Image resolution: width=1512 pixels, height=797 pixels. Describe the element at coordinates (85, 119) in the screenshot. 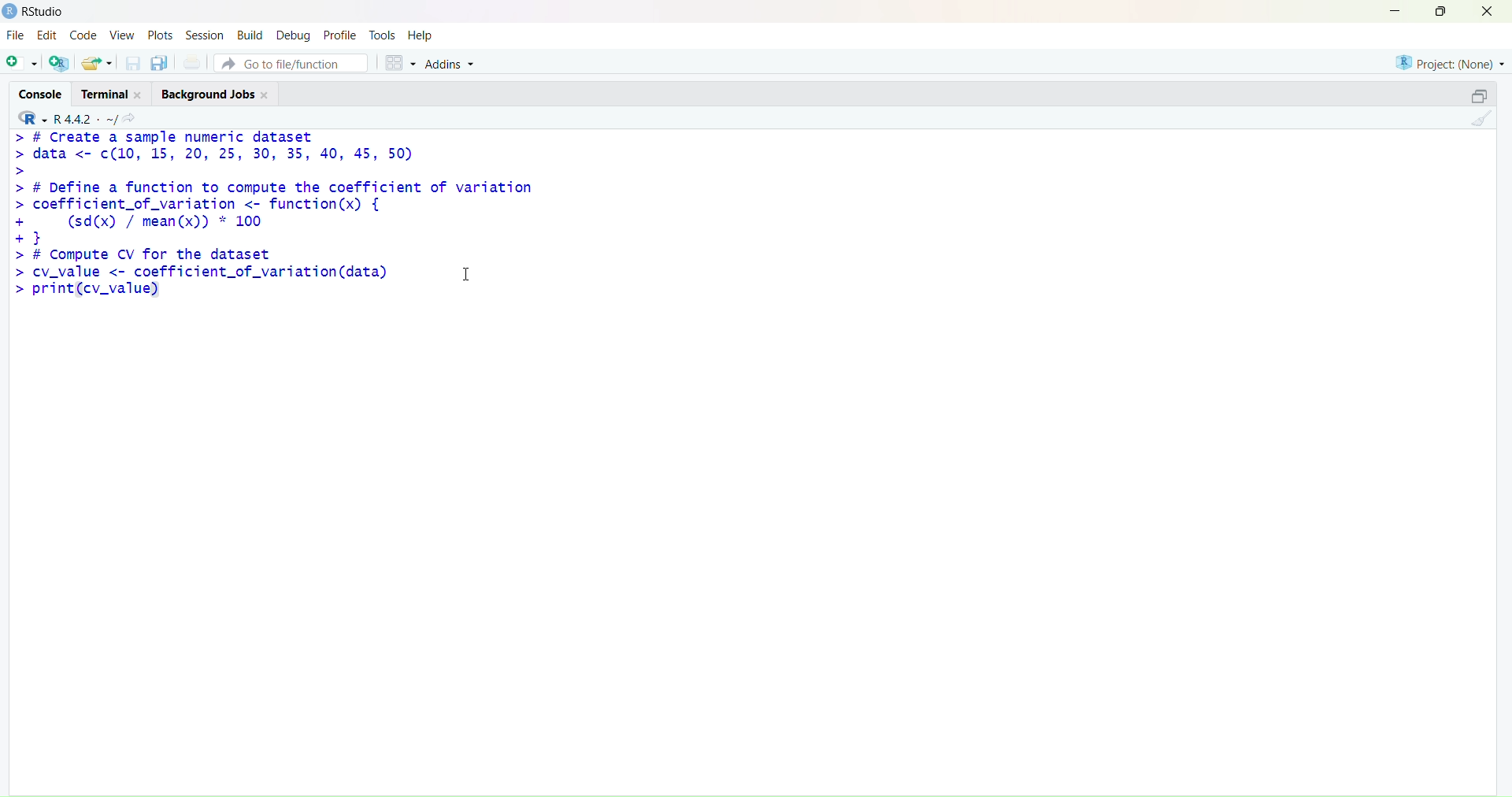

I see `R 4.4.2 ~/` at that location.